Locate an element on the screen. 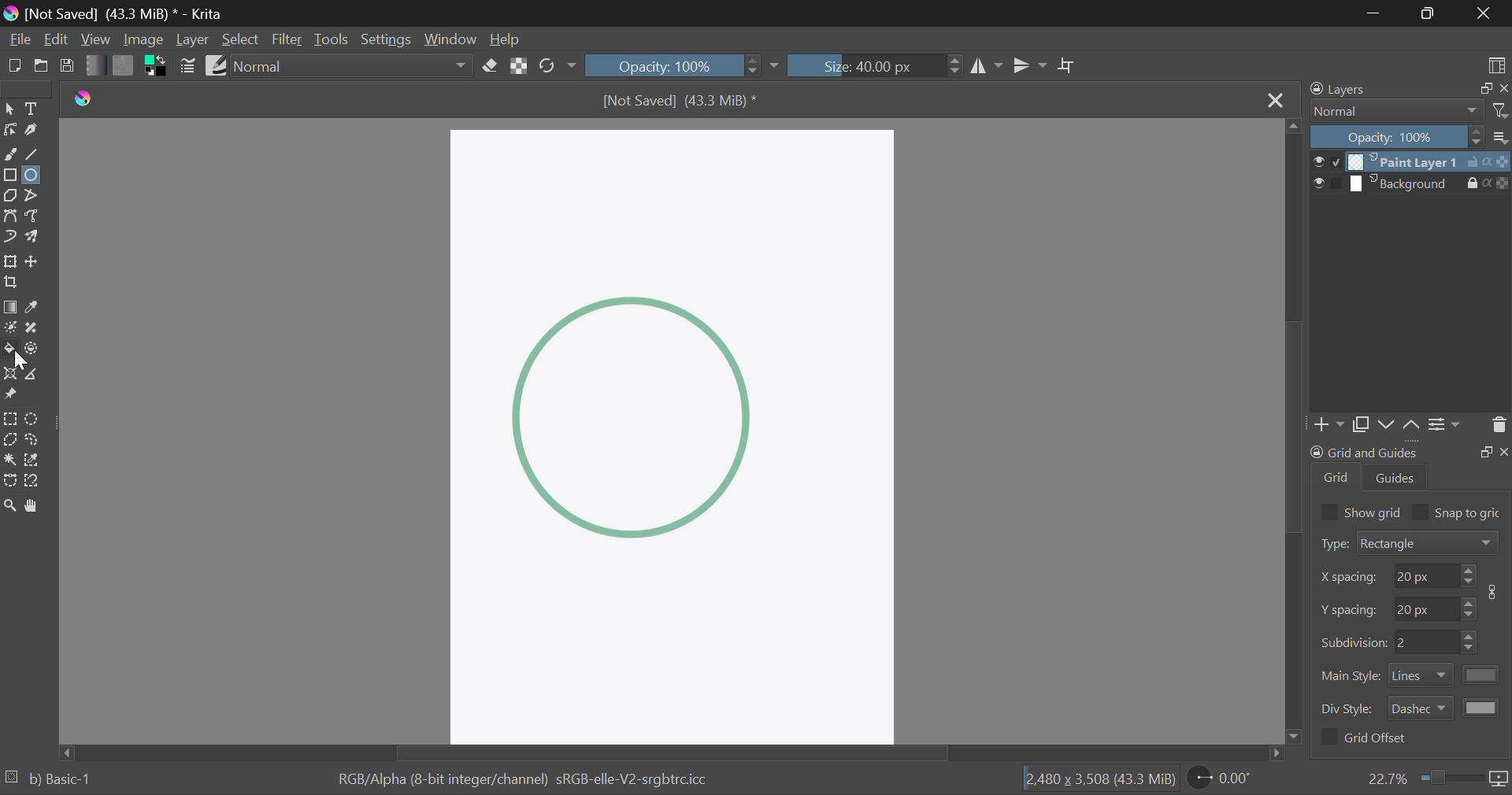 The image size is (1512, 795). Grid Type is located at coordinates (1411, 545).